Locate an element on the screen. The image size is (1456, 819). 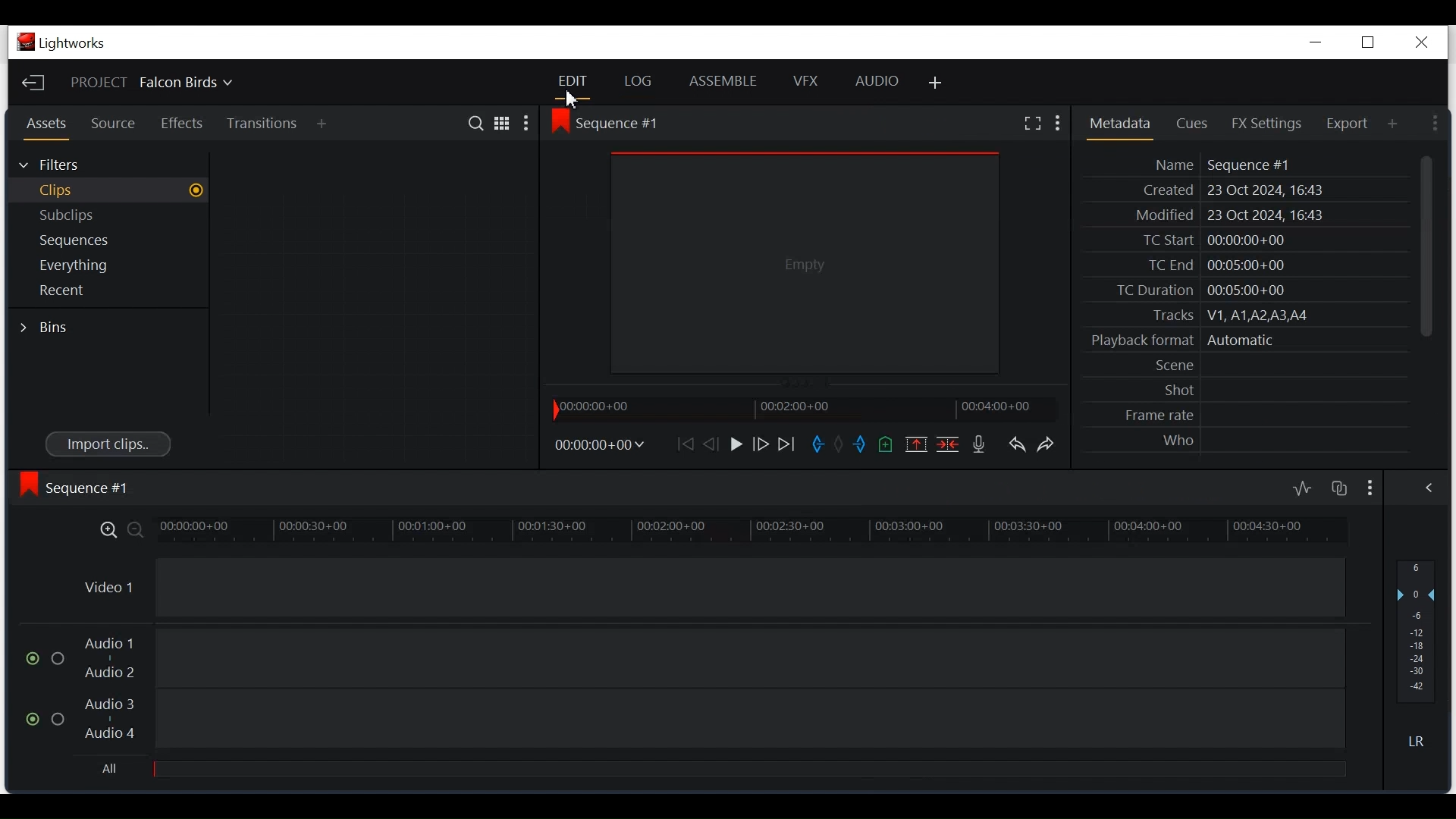
Show/Hide the full audio mix is located at coordinates (1429, 488).